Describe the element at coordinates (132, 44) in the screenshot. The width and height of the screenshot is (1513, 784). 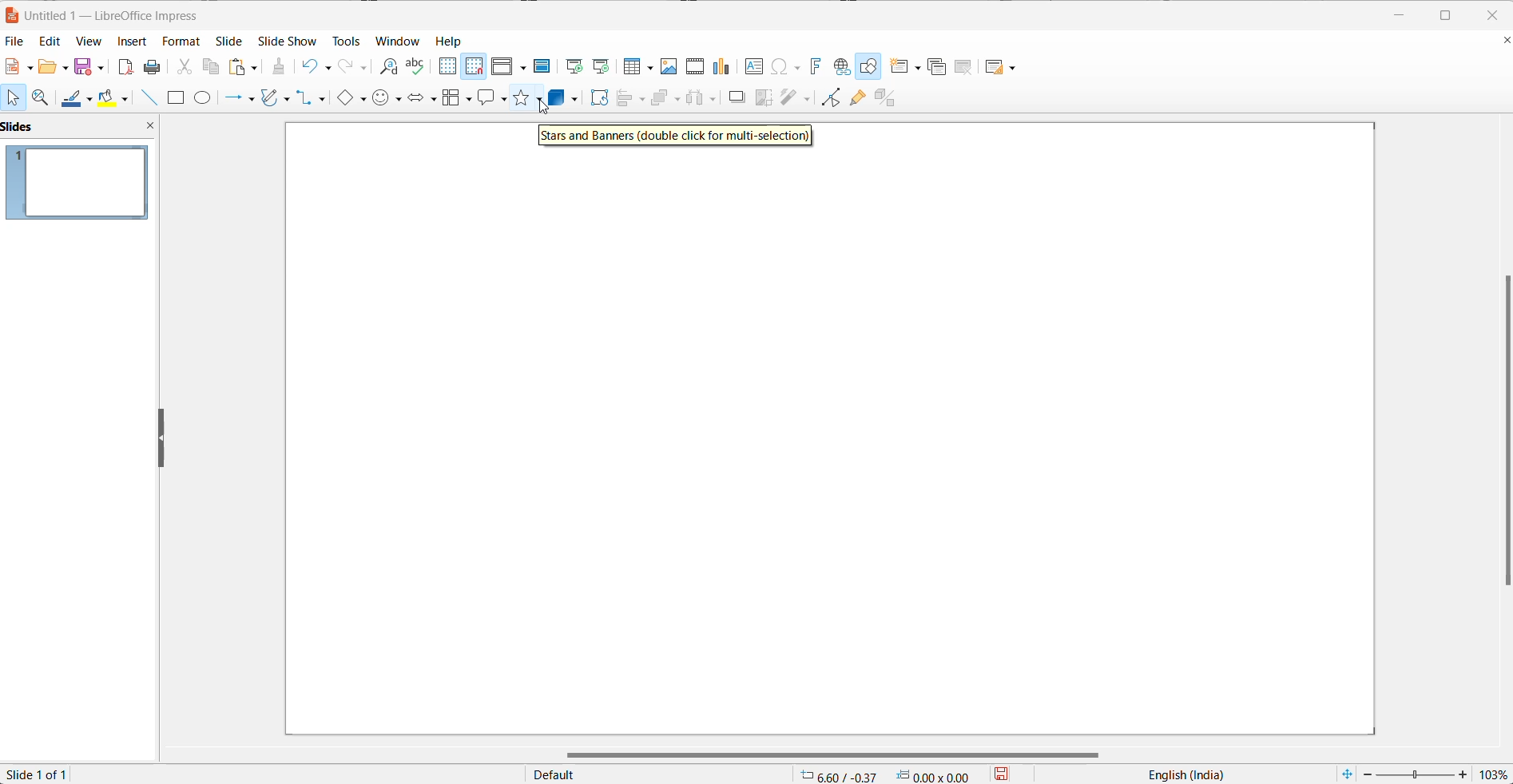
I see `insert ` at that location.